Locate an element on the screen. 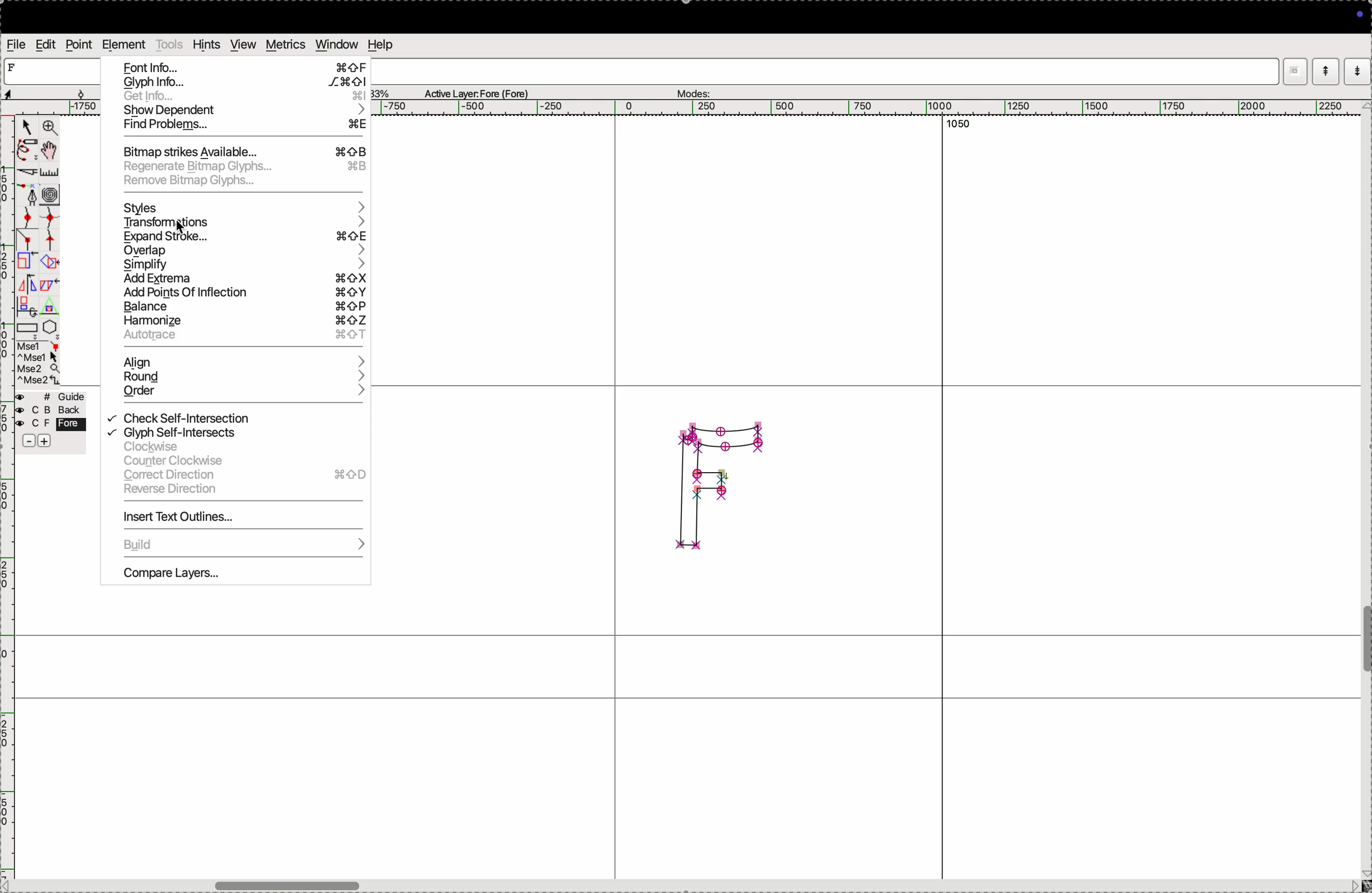  metrics is located at coordinates (287, 44).